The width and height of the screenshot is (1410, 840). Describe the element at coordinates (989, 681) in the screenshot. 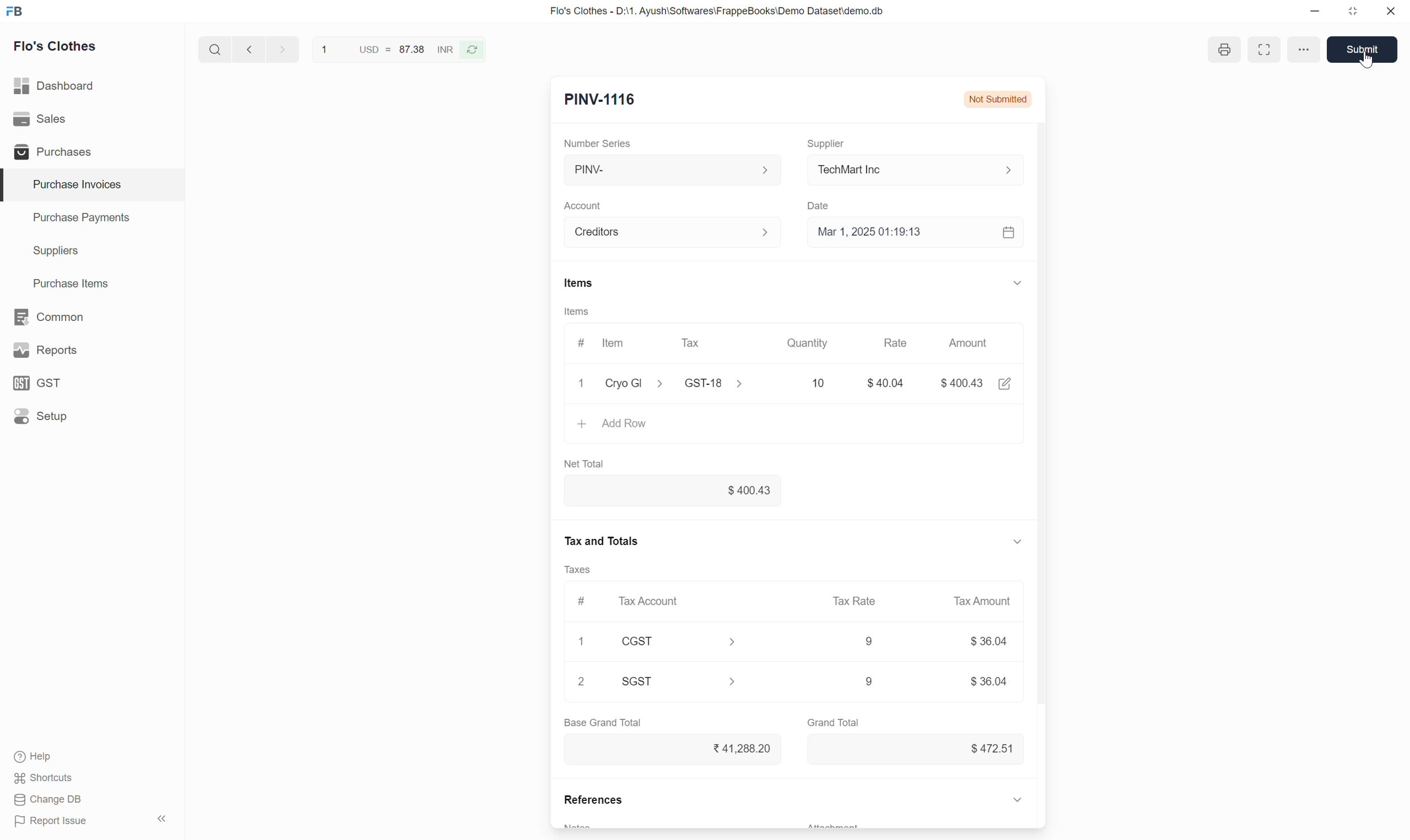

I see `9 $3.60` at that location.